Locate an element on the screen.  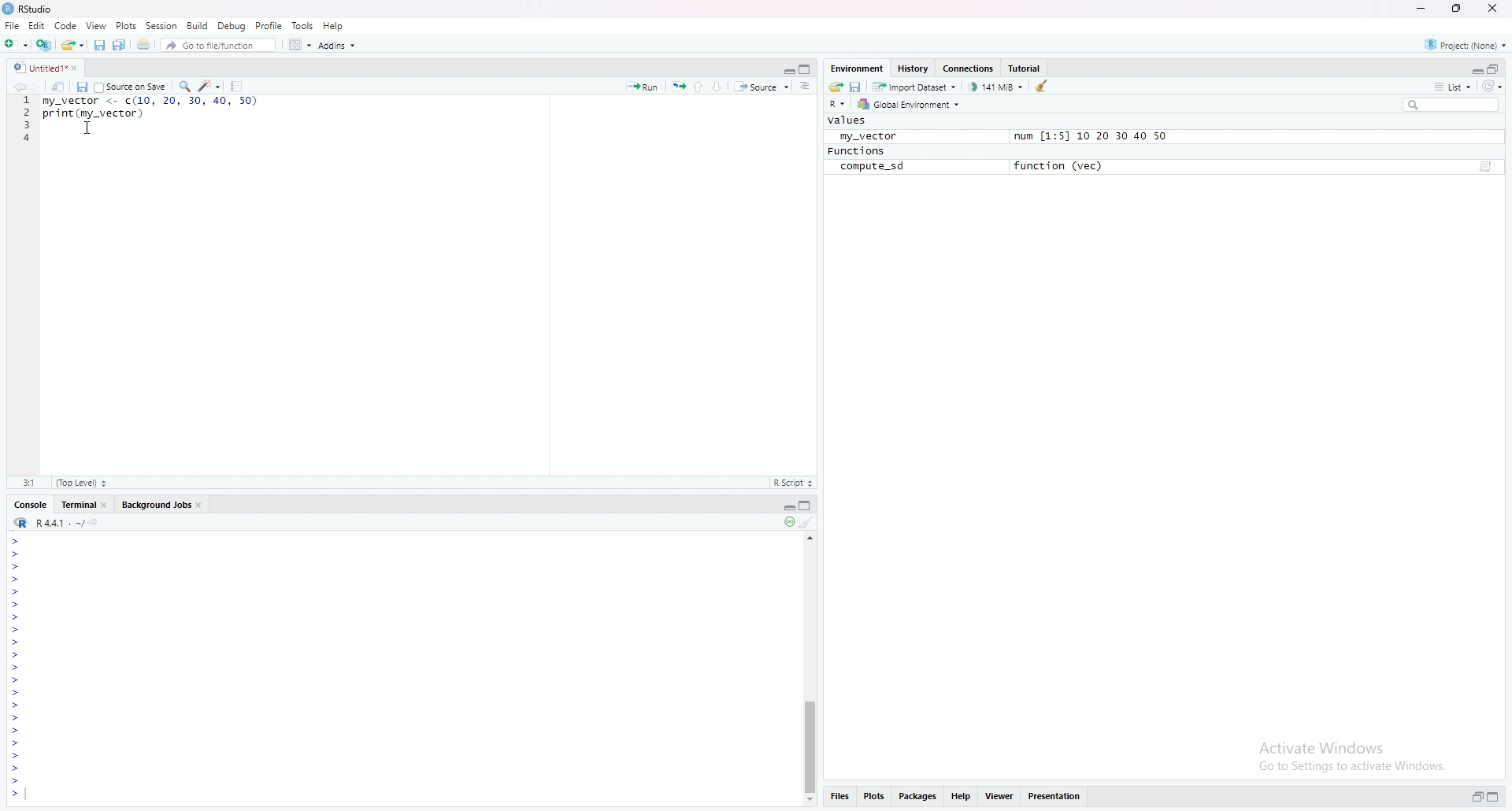
File is located at coordinates (12, 25).